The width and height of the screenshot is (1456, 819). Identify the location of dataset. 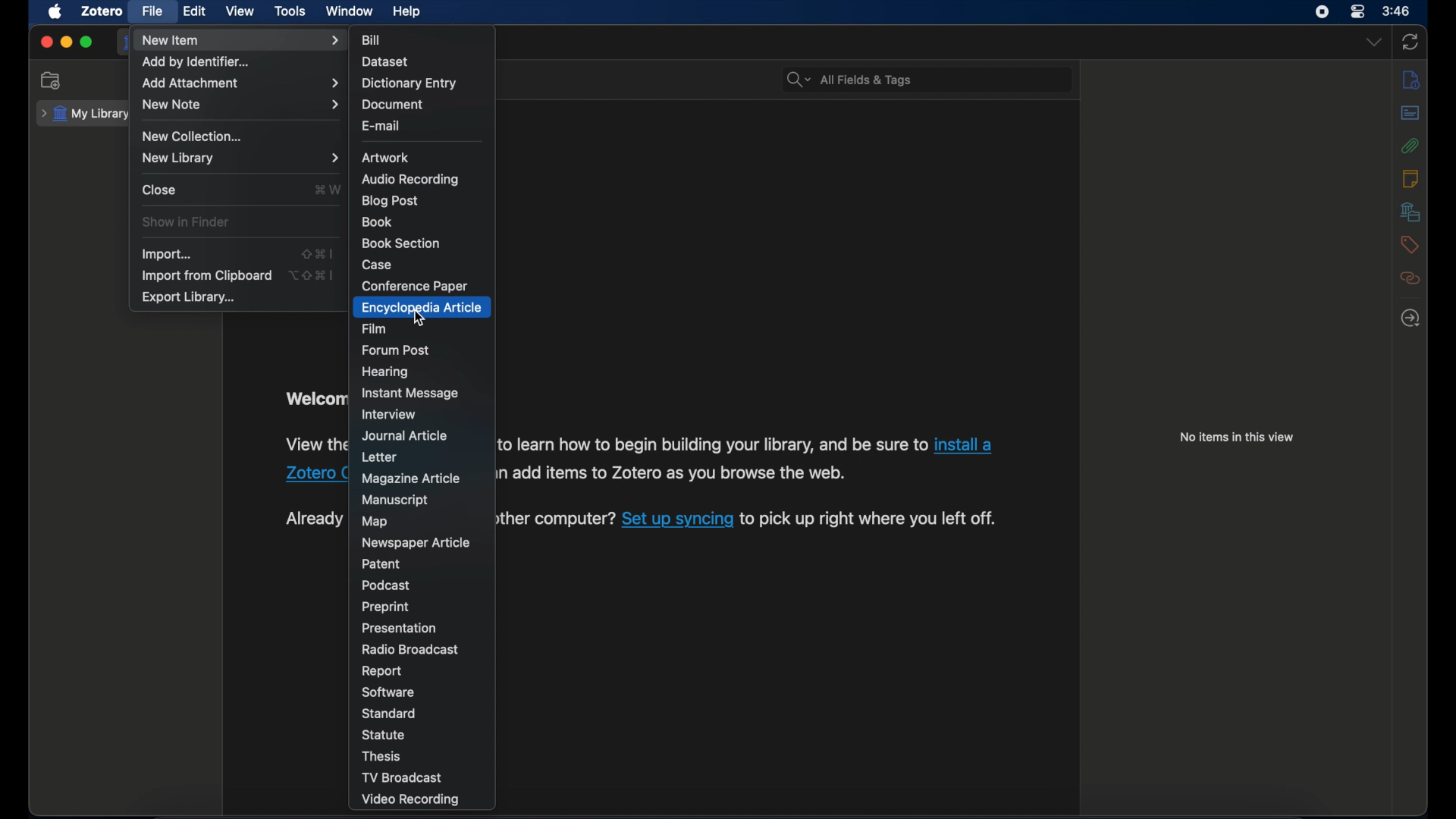
(386, 62).